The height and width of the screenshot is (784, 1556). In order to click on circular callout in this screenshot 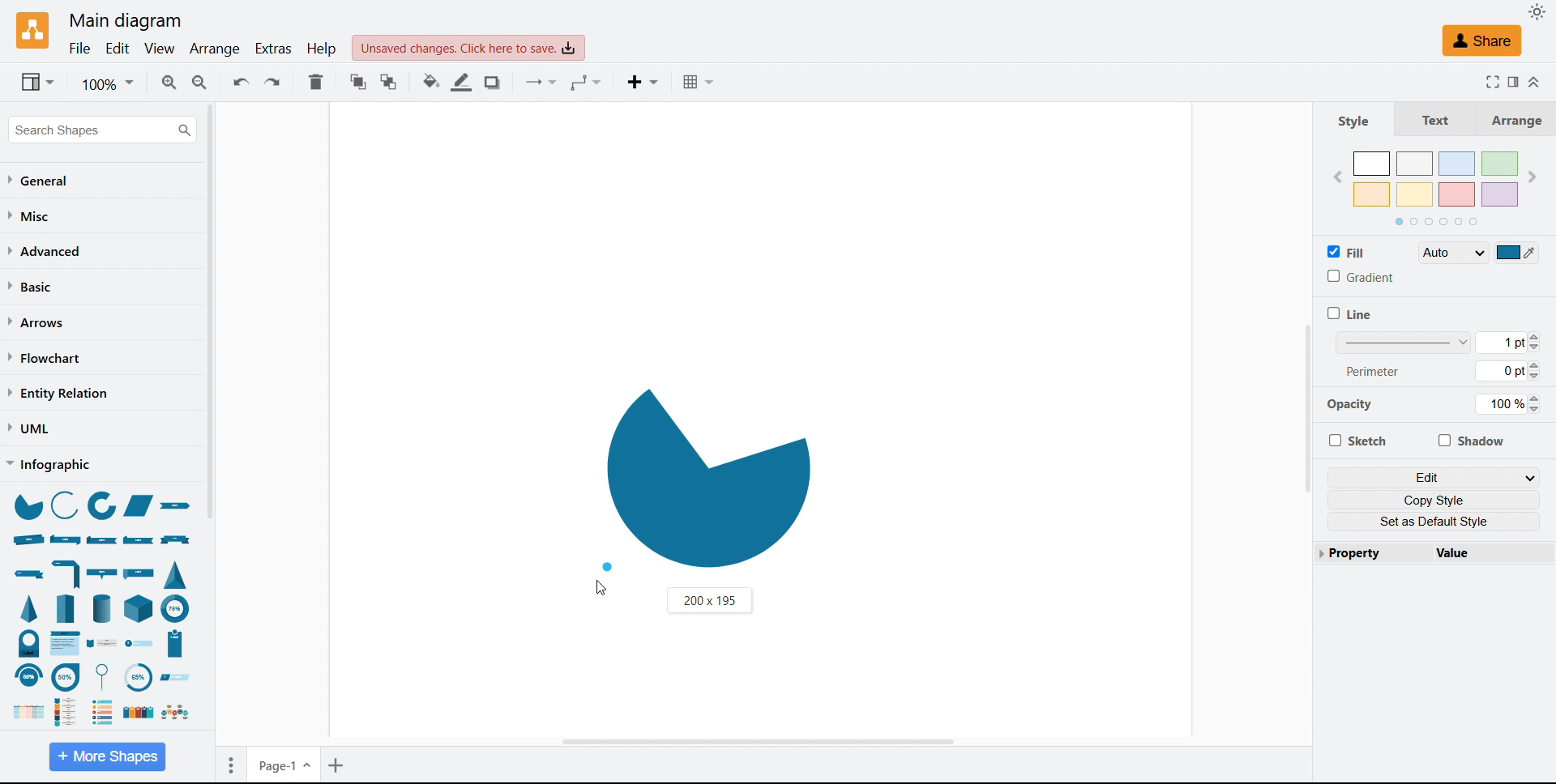, I will do `click(66, 676)`.